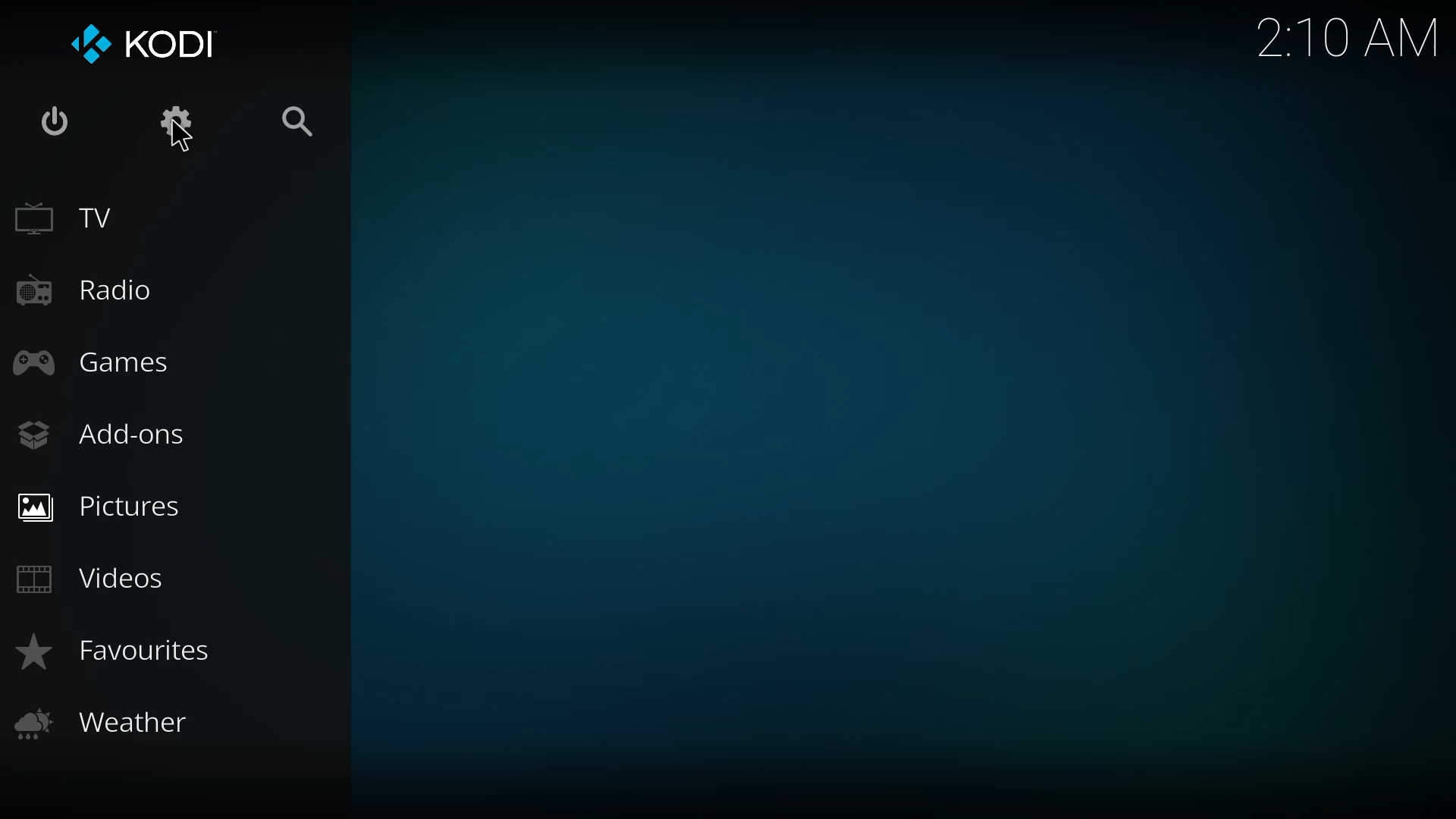  What do you see at coordinates (105, 433) in the screenshot?
I see `add-ons` at bounding box center [105, 433].